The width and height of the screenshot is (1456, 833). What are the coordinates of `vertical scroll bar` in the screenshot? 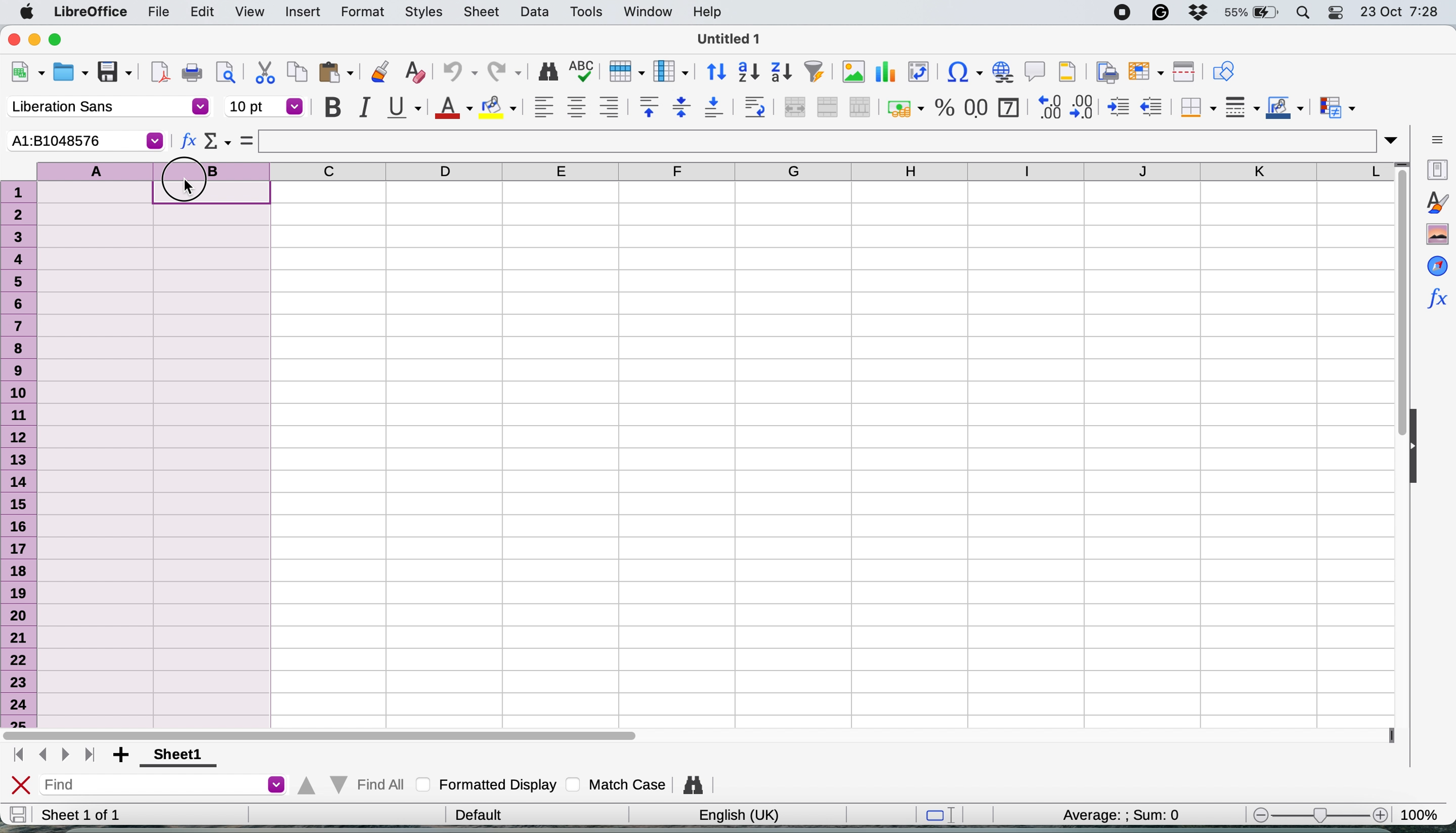 It's located at (1400, 310).